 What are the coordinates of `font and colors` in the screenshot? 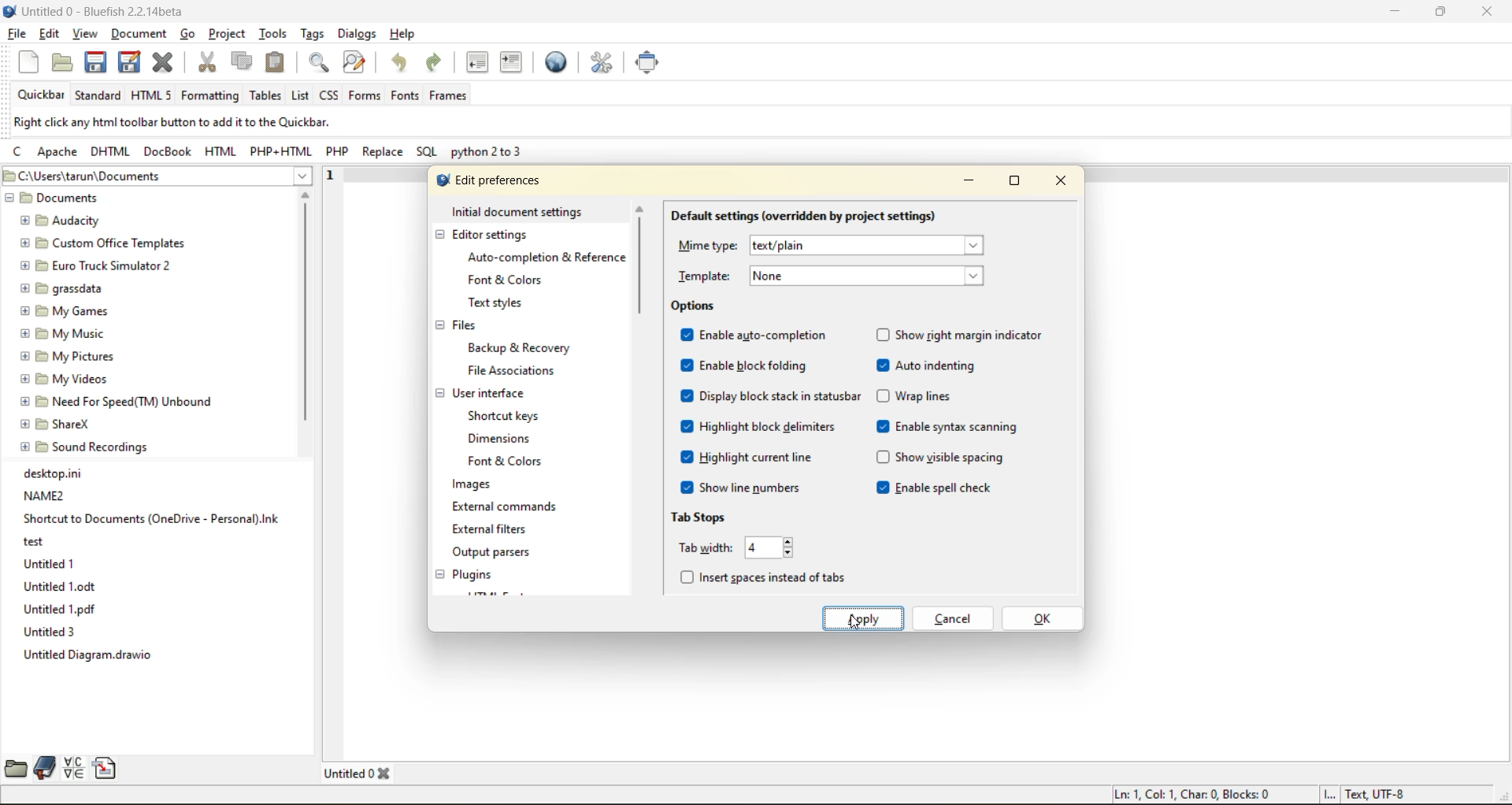 It's located at (508, 279).